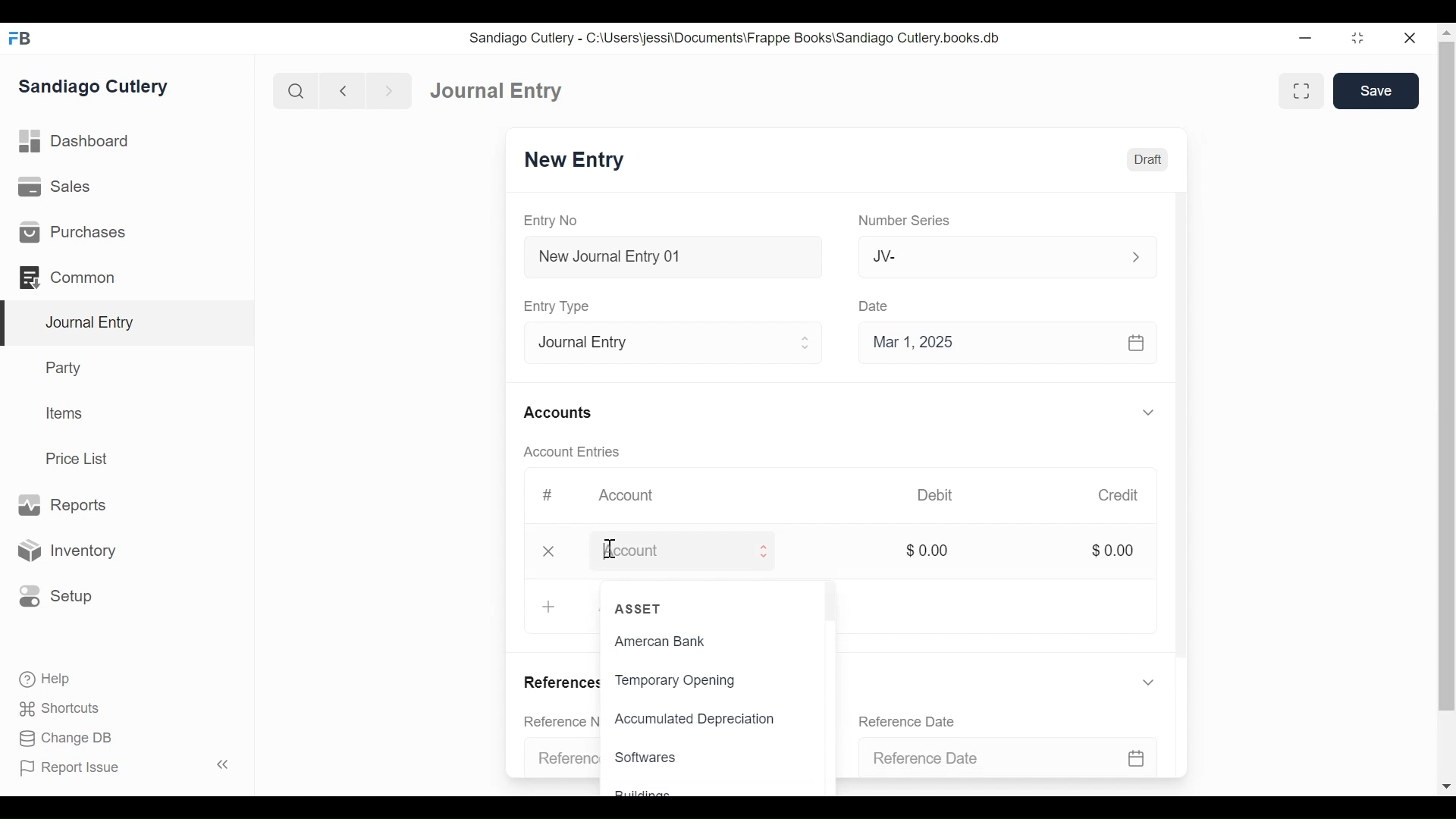 The width and height of the screenshot is (1456, 819). I want to click on expand/collapse, so click(1157, 412).